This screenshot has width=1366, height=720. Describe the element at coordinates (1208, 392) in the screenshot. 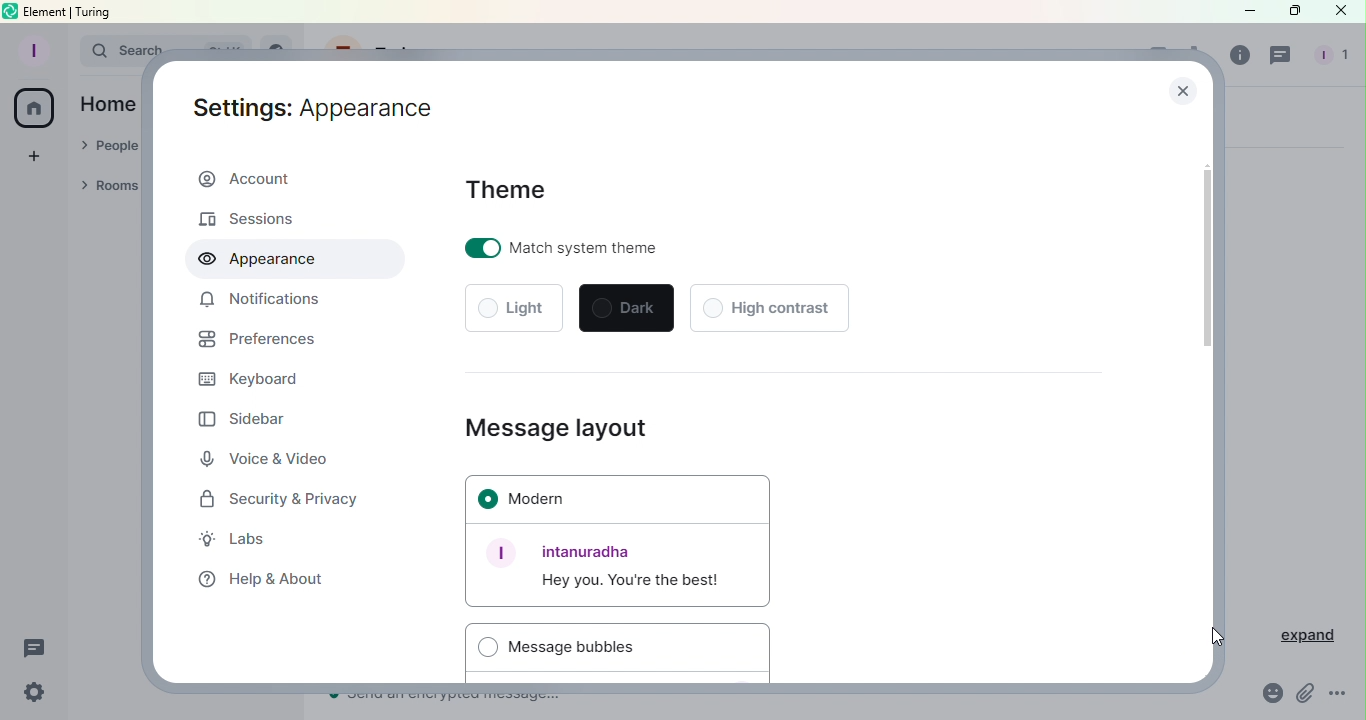

I see `Scroll bar` at that location.